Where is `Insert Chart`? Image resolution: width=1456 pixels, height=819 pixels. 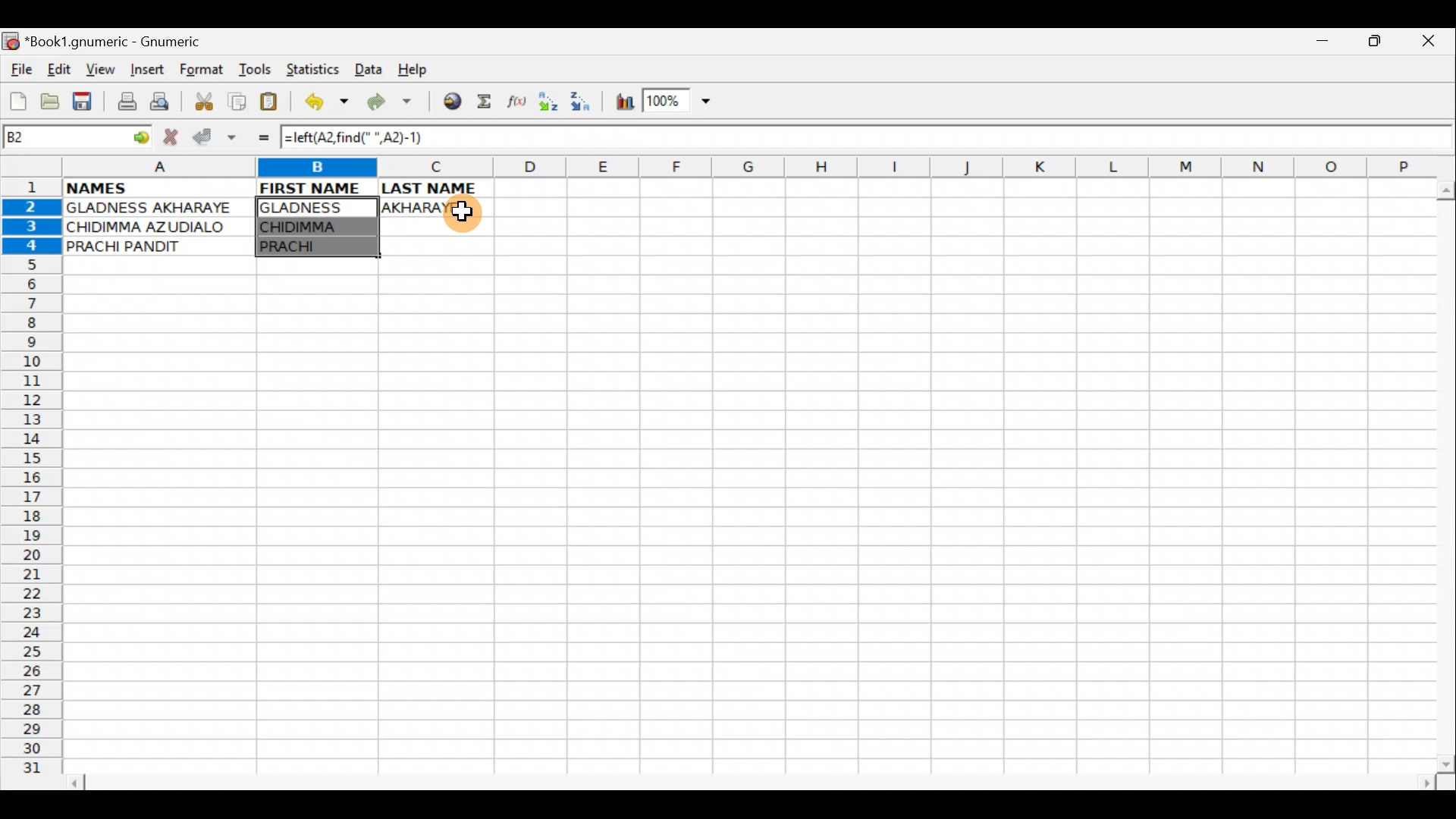 Insert Chart is located at coordinates (620, 104).